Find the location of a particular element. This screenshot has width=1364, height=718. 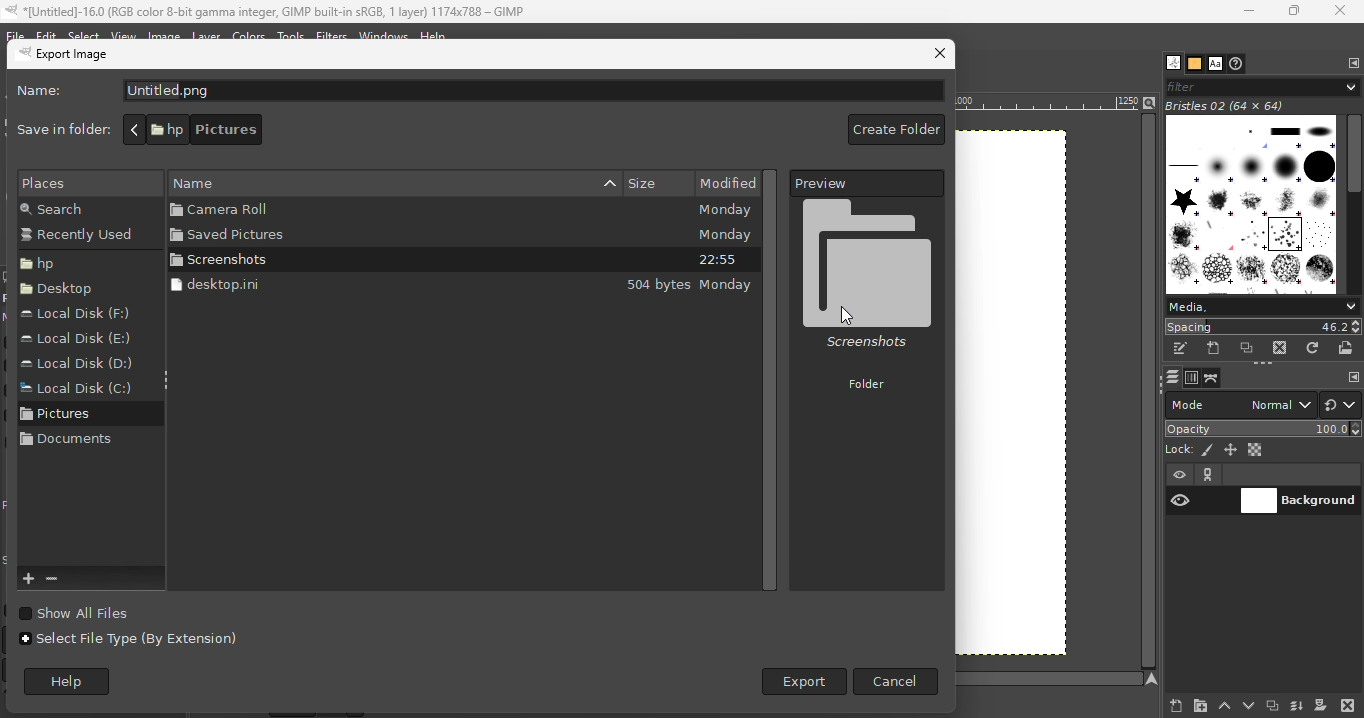

Add the folder to the bookmarks is located at coordinates (30, 579).